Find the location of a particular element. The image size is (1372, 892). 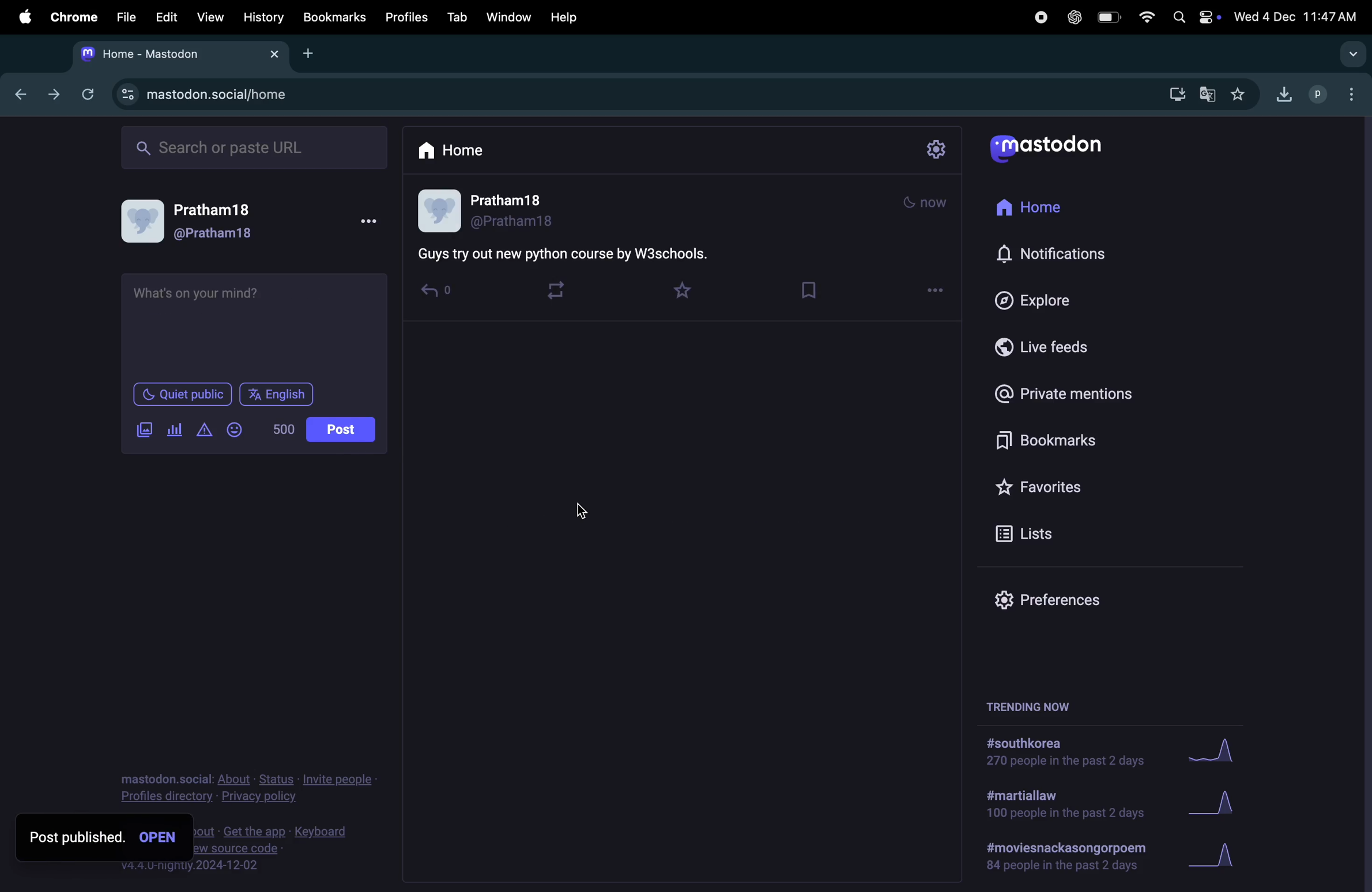

add poll is located at coordinates (176, 428).